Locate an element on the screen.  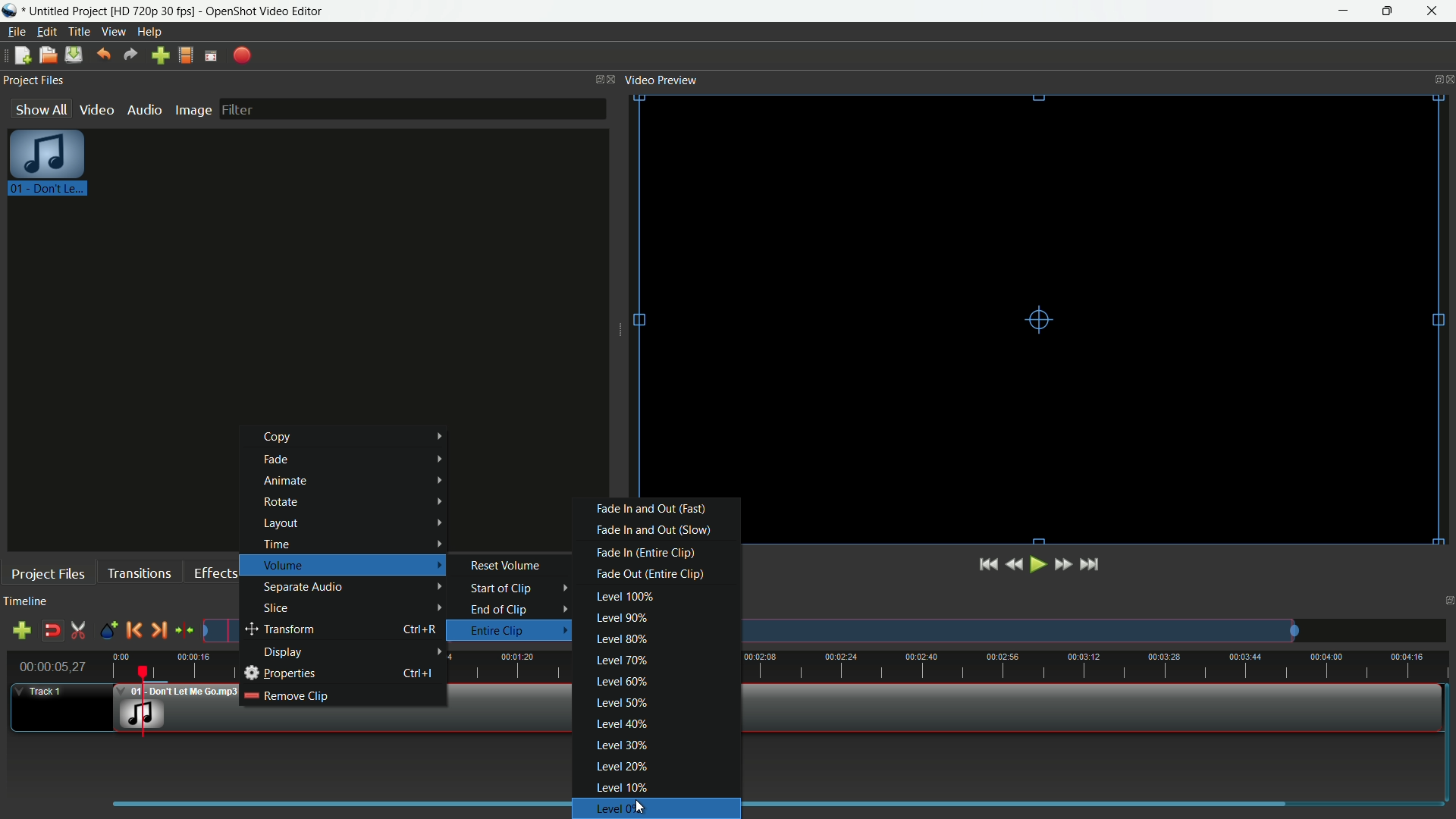
enable razor is located at coordinates (80, 631).